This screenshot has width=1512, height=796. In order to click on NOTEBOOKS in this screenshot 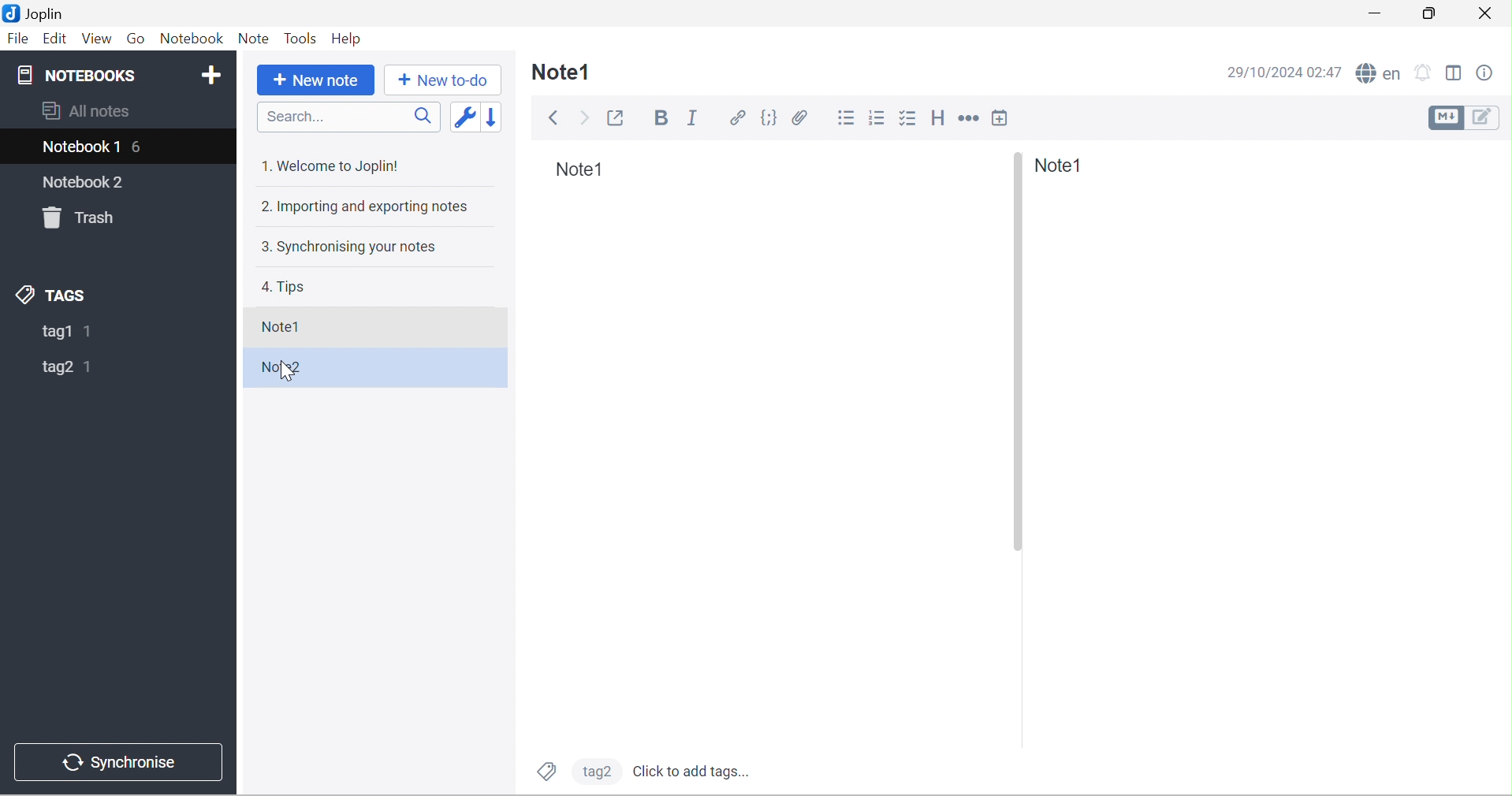, I will do `click(76, 75)`.